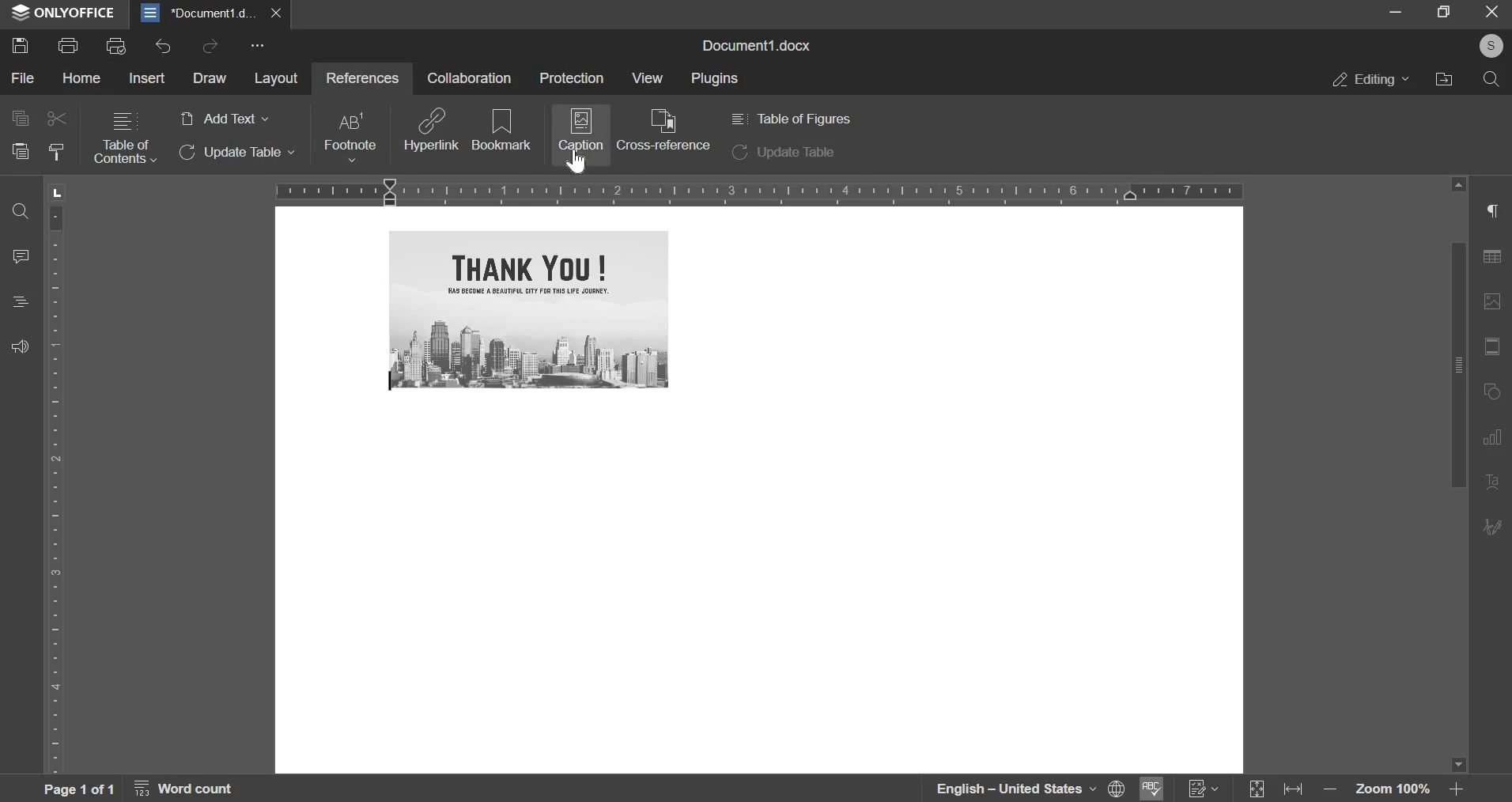 The height and width of the screenshot is (802, 1512). I want to click on hyperlink, so click(432, 129).